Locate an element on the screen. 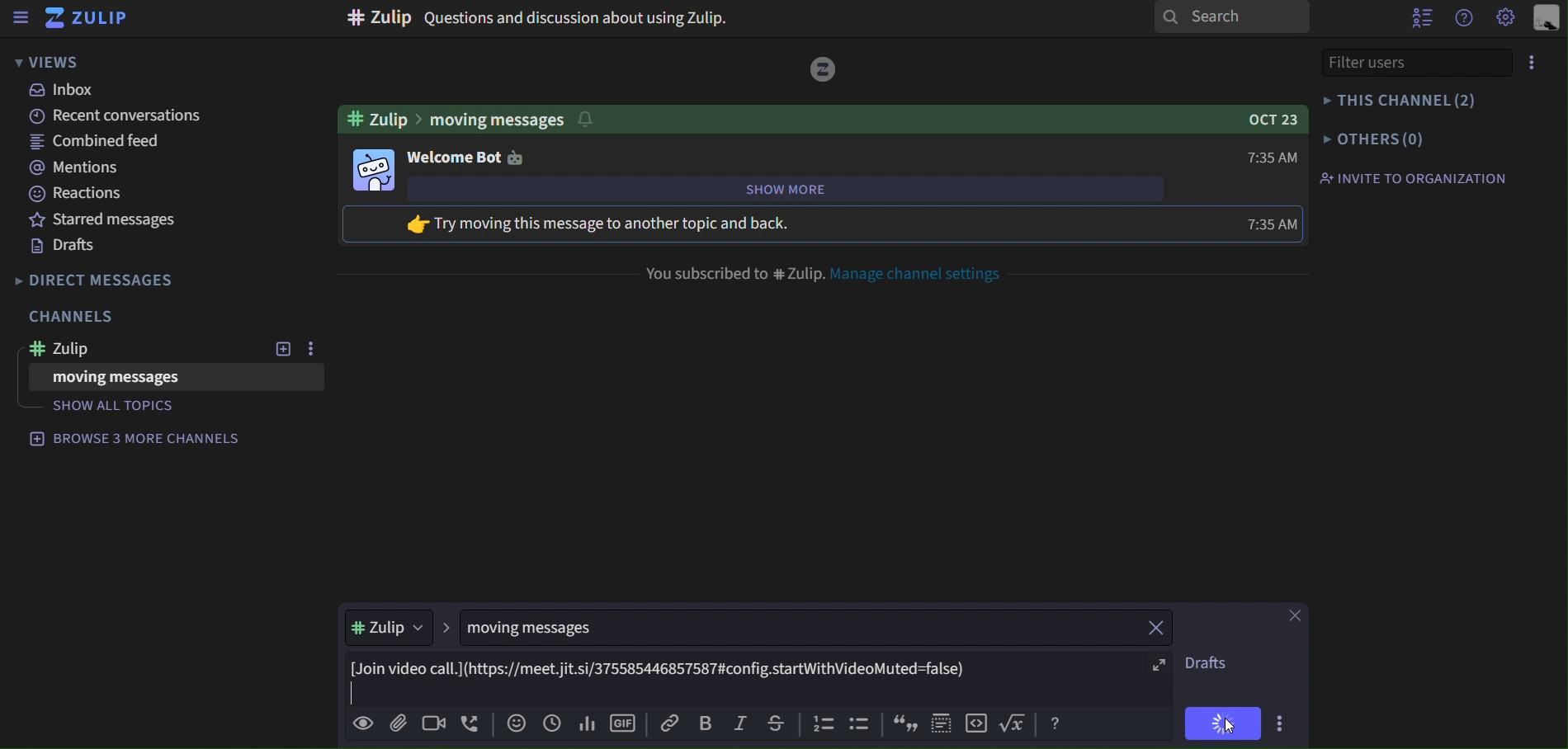 The width and height of the screenshot is (1568, 749). inbox is located at coordinates (68, 92).